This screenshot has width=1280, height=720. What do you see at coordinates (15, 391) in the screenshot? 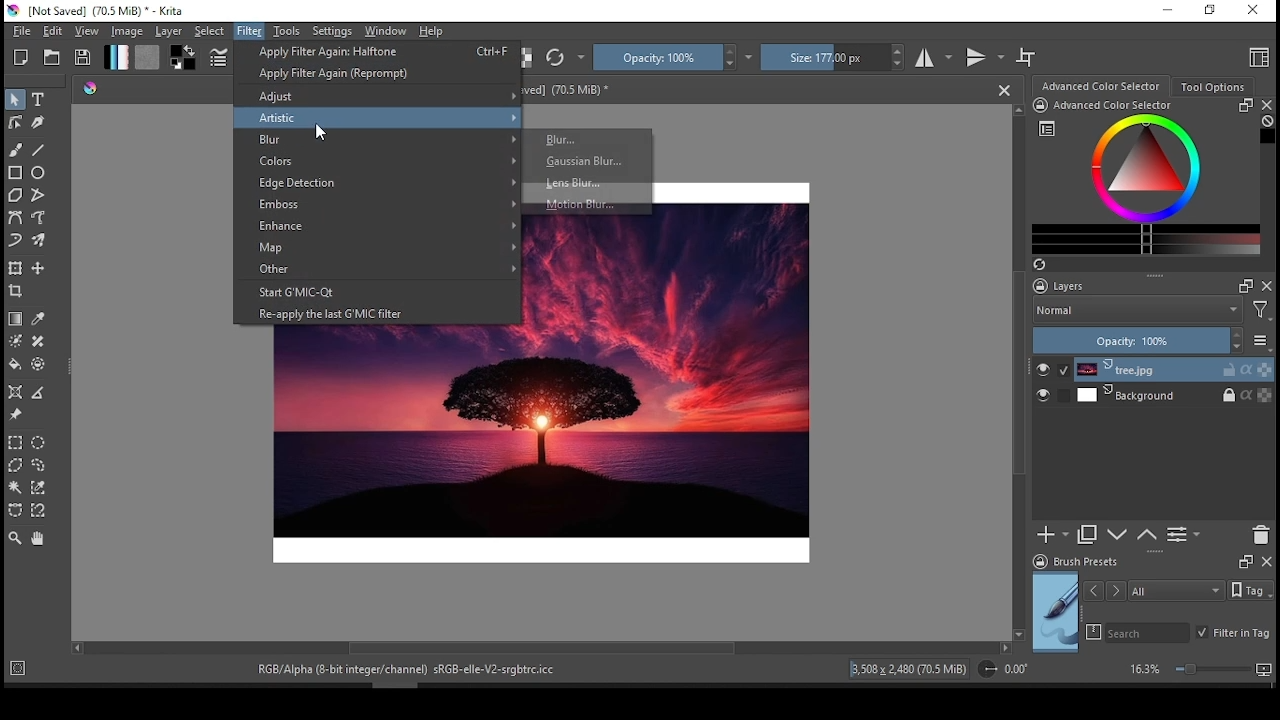
I see `assistant tool` at bounding box center [15, 391].